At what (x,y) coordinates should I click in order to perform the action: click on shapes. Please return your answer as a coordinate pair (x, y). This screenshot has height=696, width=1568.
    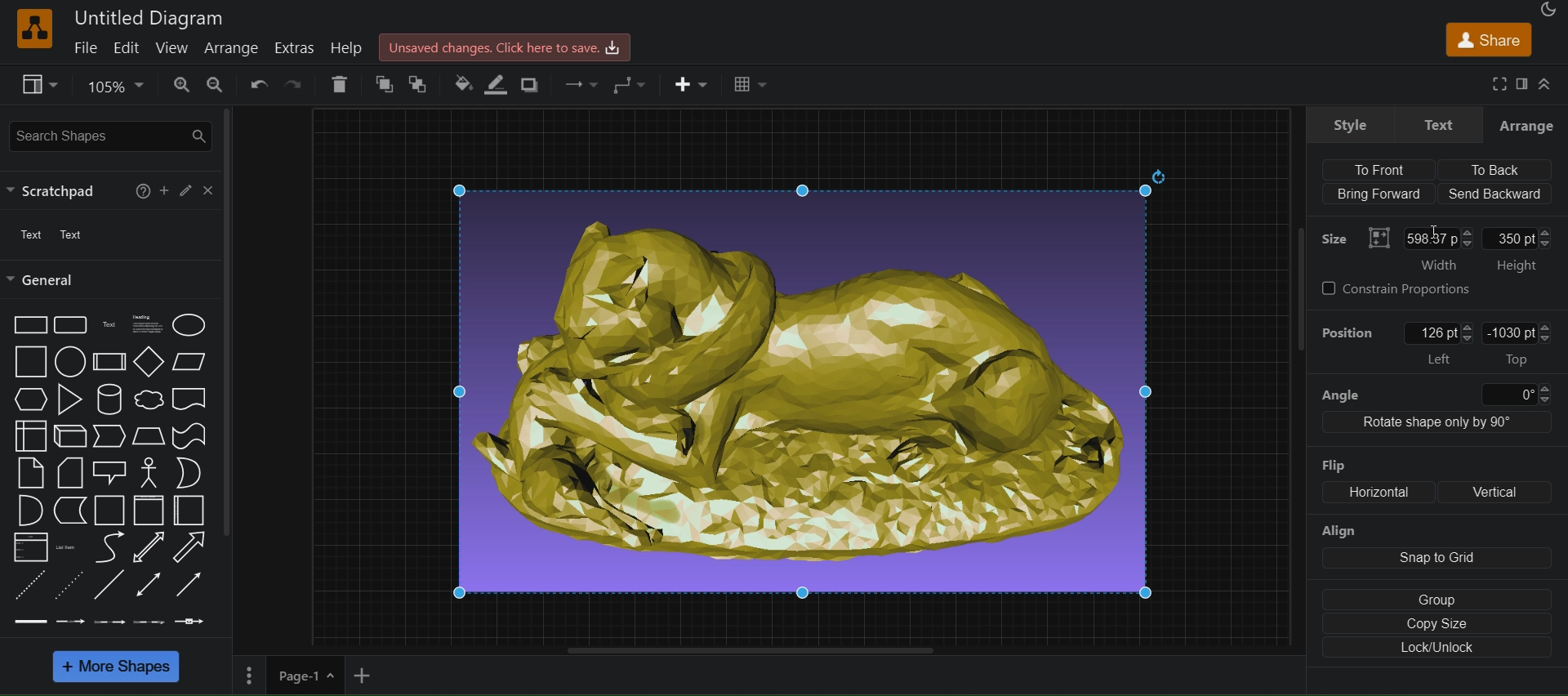
    Looking at the image, I should click on (109, 471).